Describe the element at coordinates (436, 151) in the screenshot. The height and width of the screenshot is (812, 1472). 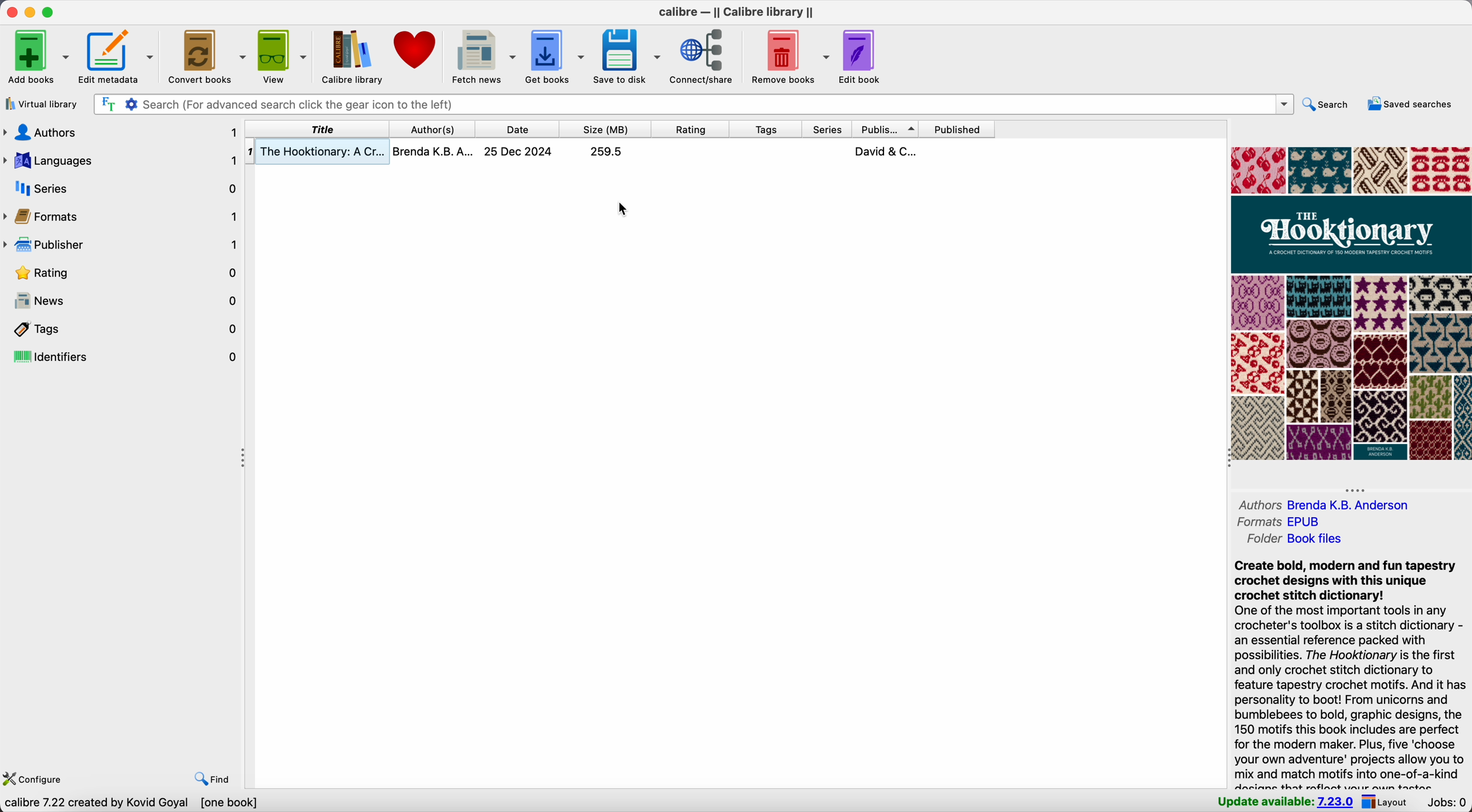
I see `Brenda K.B. A` at that location.